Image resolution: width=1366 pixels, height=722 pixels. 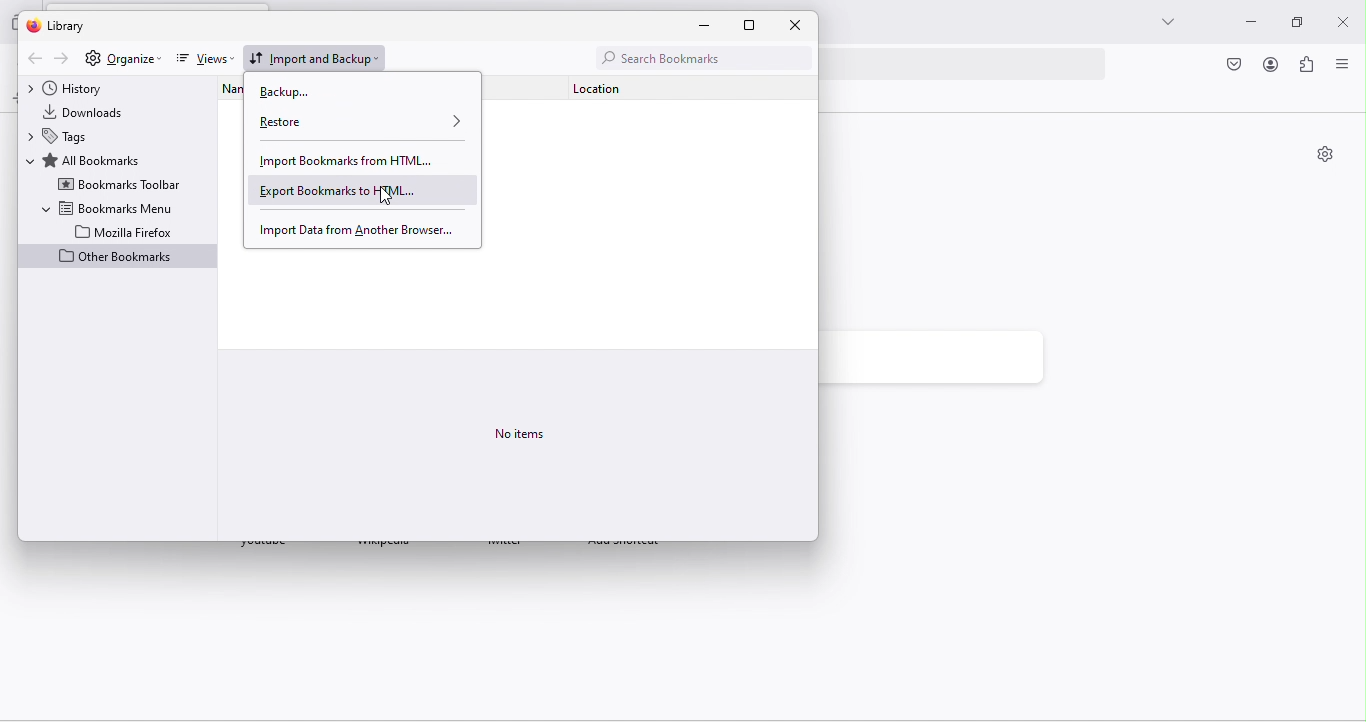 I want to click on settings, so click(x=91, y=59).